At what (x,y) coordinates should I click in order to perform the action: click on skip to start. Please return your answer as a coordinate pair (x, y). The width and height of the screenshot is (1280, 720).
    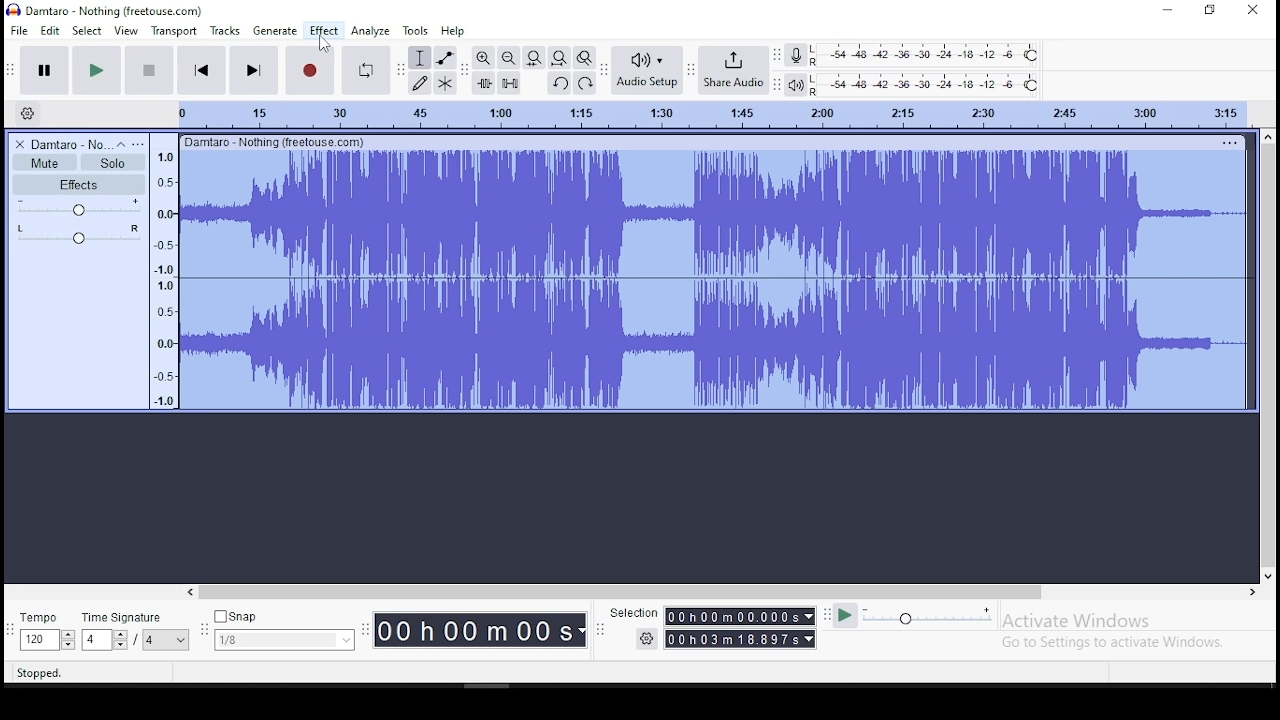
    Looking at the image, I should click on (202, 70).